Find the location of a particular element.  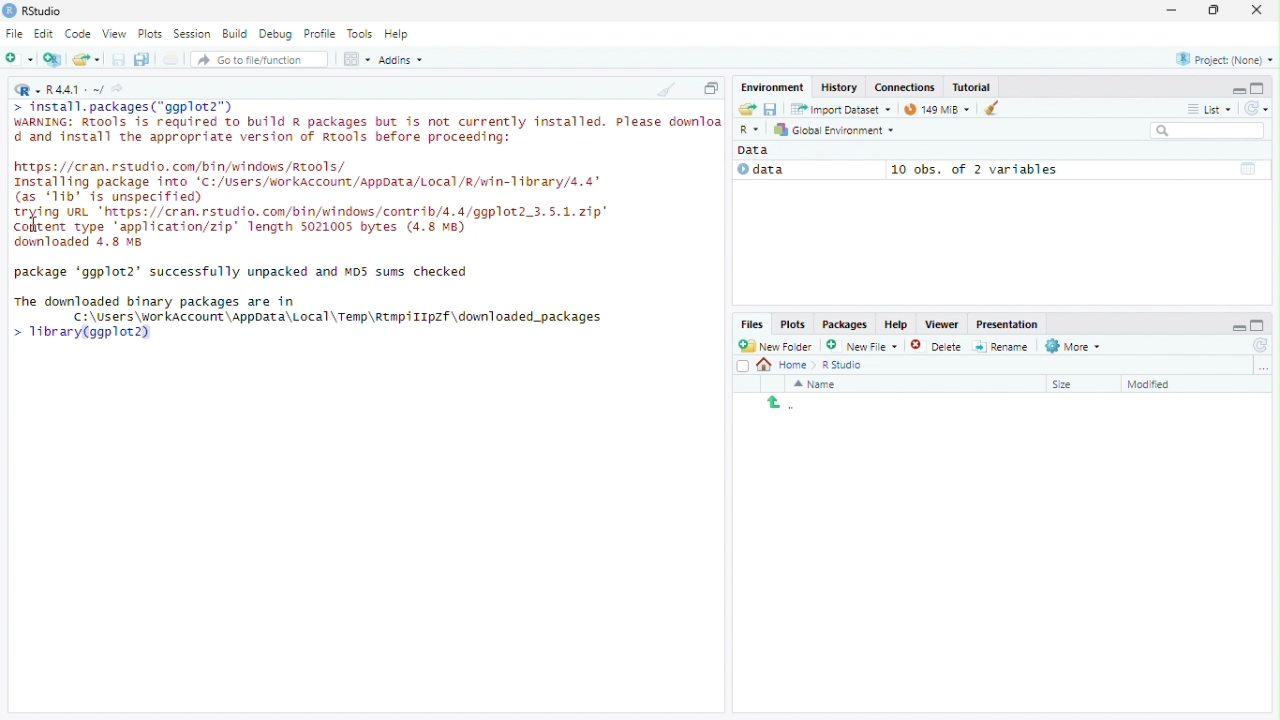

minimize is located at coordinates (1173, 11).